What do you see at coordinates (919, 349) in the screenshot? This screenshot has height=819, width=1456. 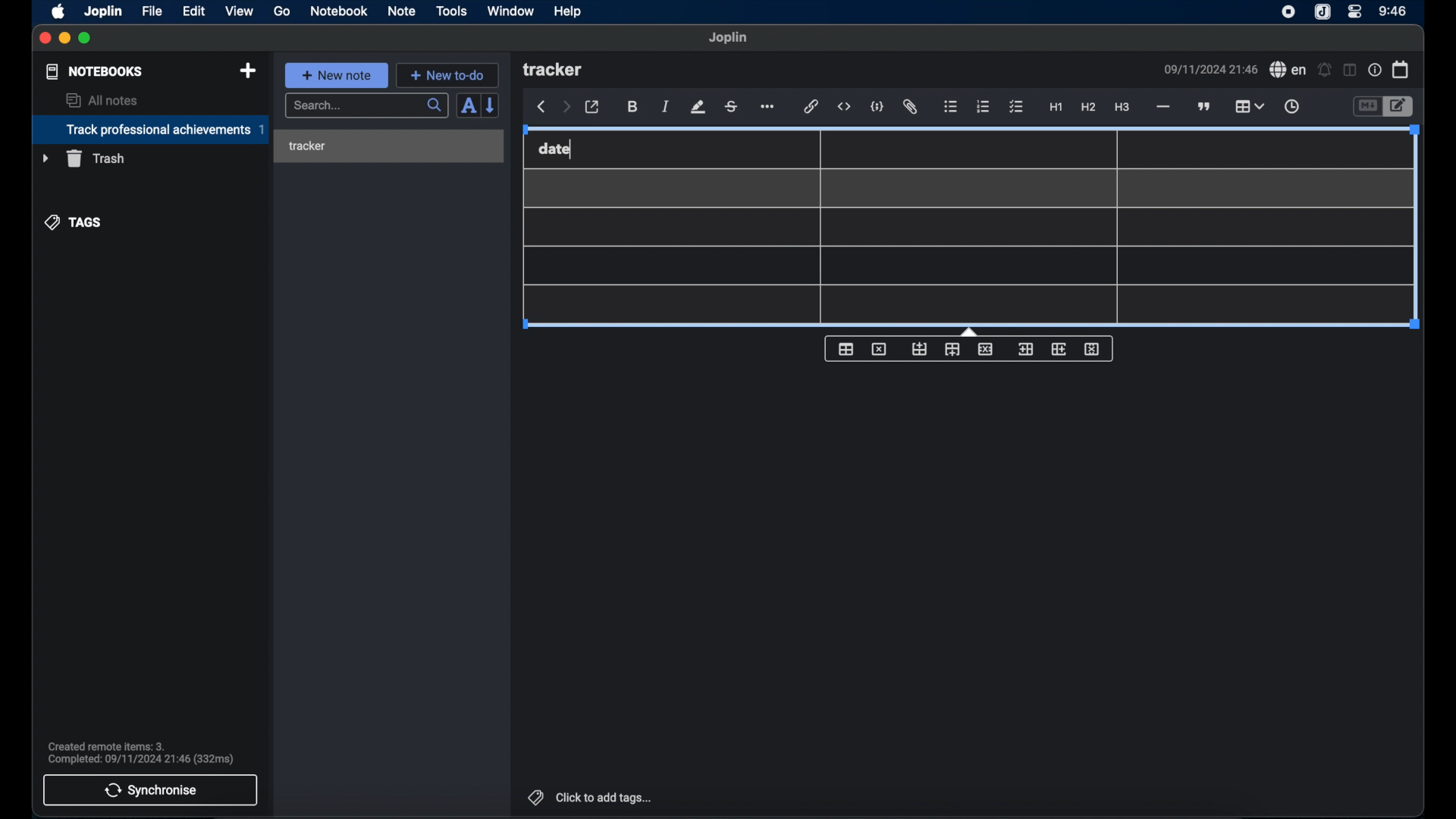 I see `insert row before` at bounding box center [919, 349].